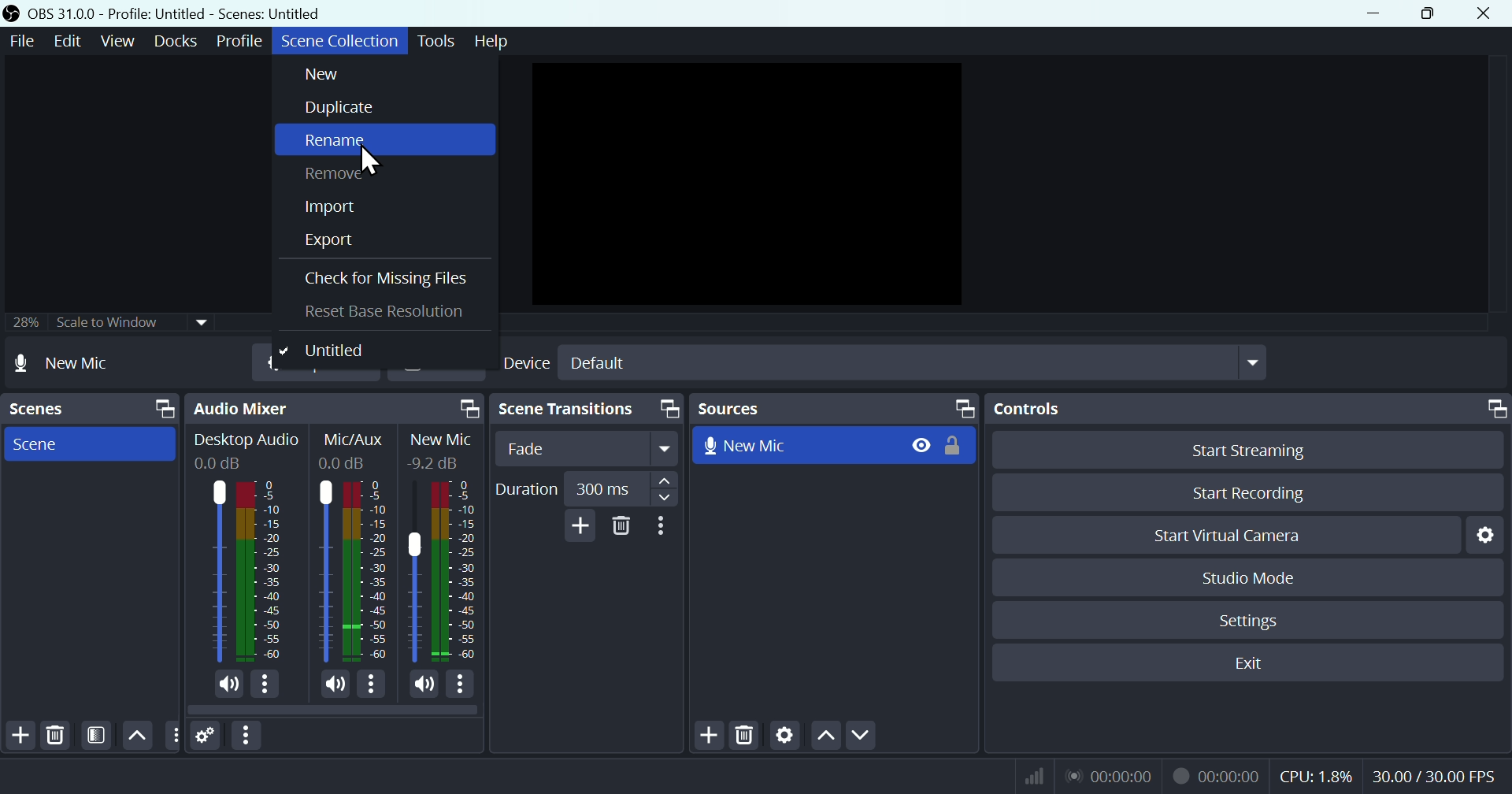  Describe the element at coordinates (364, 161) in the screenshot. I see `cursor` at that location.